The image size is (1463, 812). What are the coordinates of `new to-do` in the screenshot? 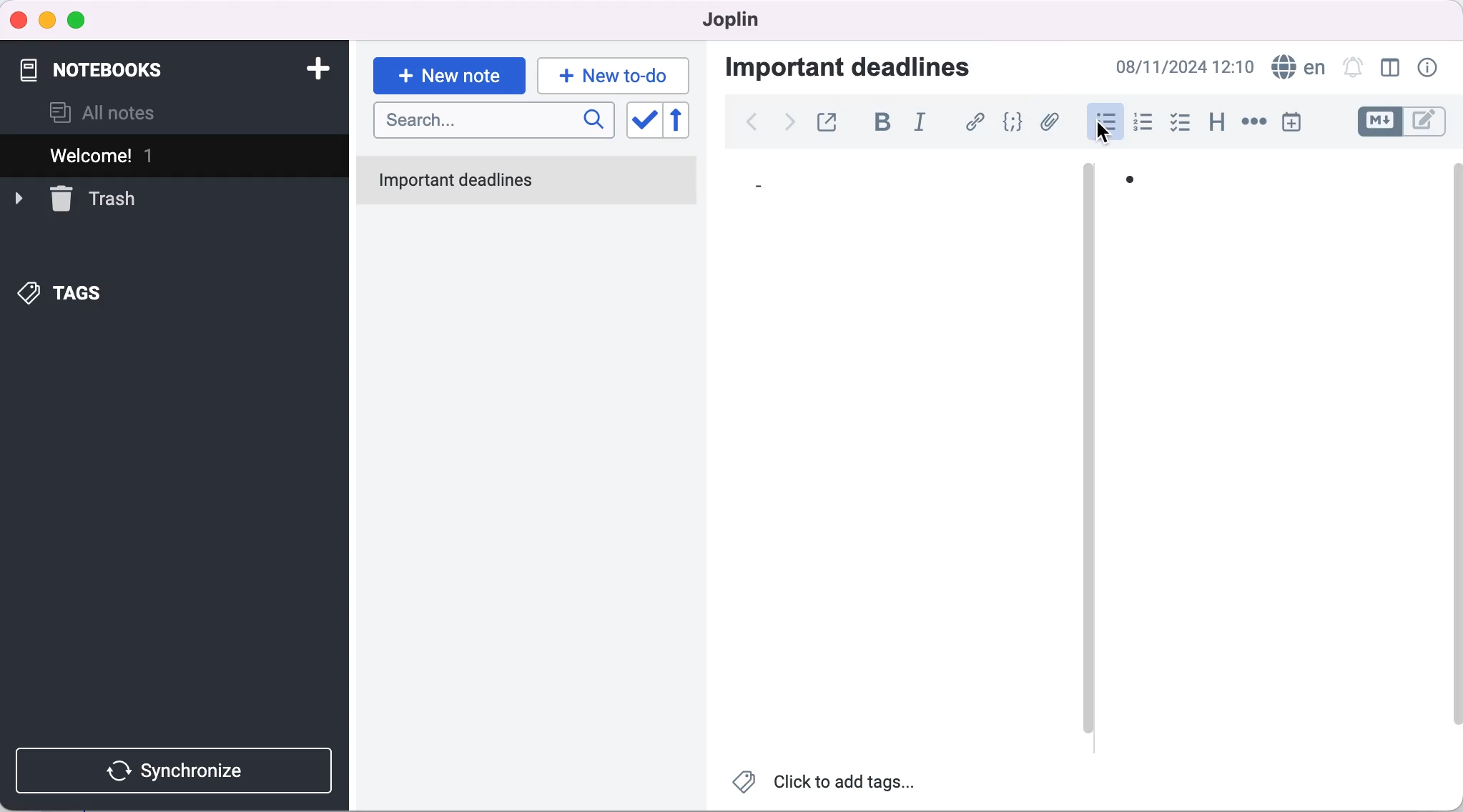 It's located at (617, 75).